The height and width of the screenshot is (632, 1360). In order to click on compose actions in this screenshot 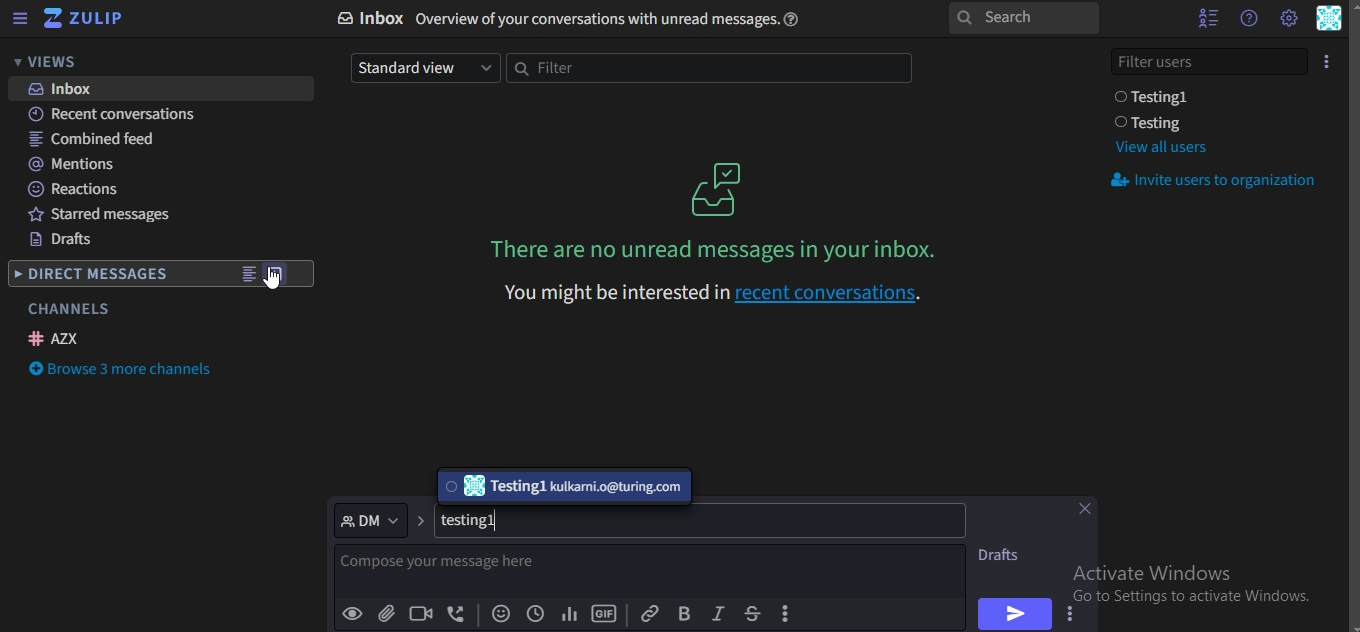, I will do `click(788, 614)`.